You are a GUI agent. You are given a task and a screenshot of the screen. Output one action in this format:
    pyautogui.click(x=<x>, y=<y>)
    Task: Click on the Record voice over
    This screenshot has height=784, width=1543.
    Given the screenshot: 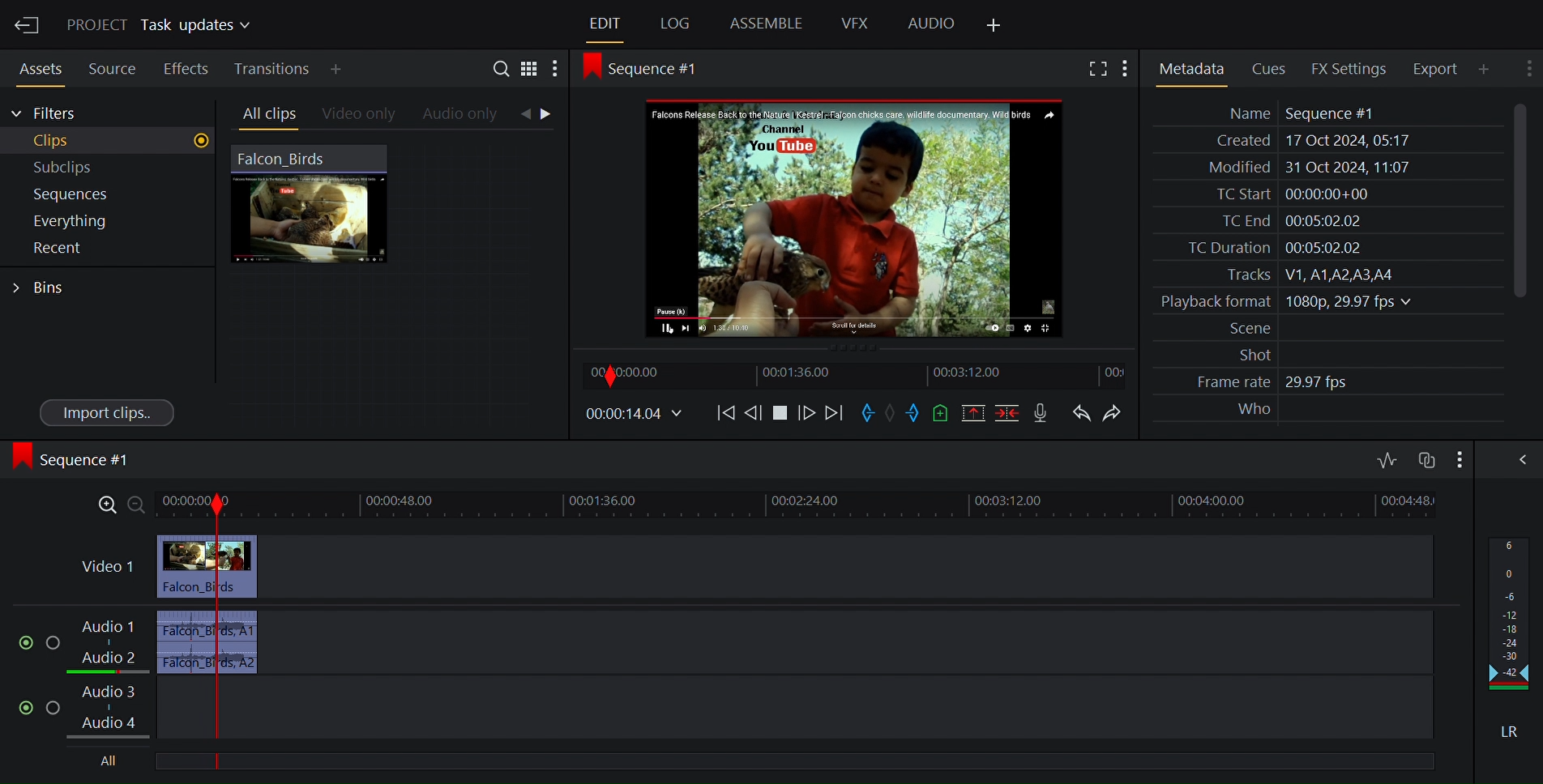 What is the action you would take?
    pyautogui.click(x=1043, y=413)
    